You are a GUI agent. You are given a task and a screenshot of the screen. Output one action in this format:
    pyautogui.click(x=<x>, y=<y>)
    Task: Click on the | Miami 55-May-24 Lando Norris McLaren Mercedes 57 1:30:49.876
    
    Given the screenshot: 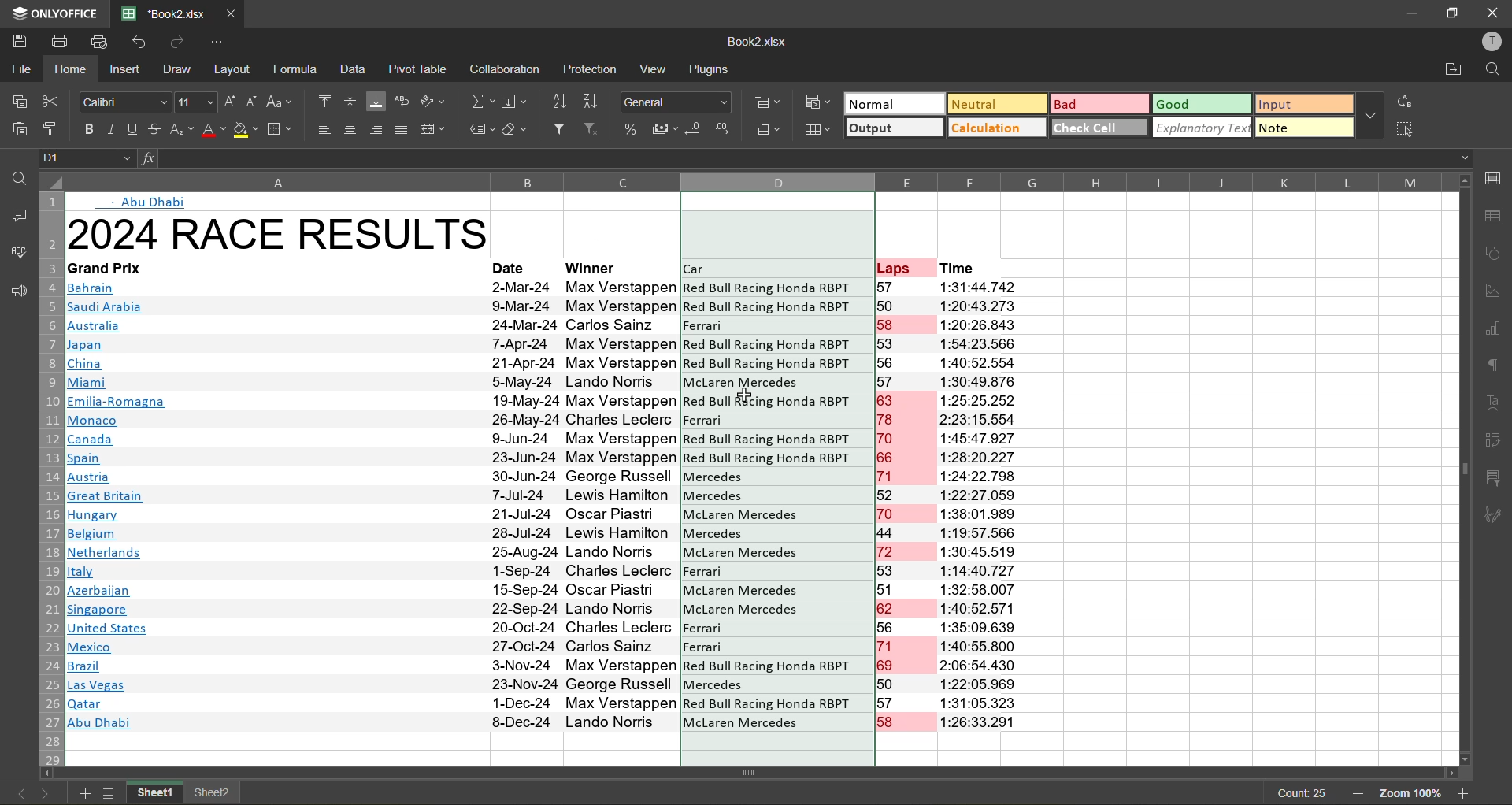 What is the action you would take?
    pyautogui.click(x=549, y=382)
    